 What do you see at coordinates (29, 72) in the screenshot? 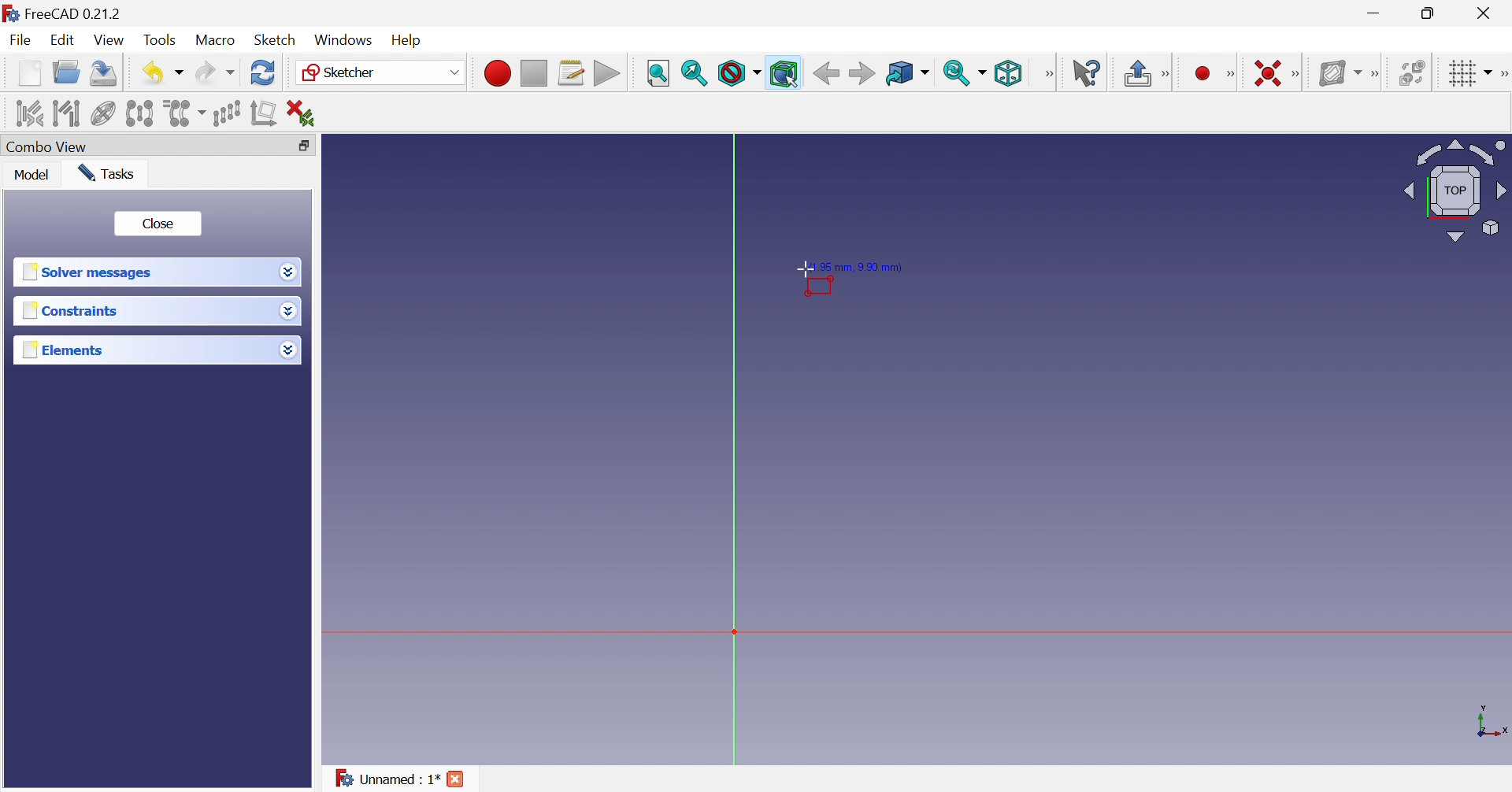
I see `New` at bounding box center [29, 72].